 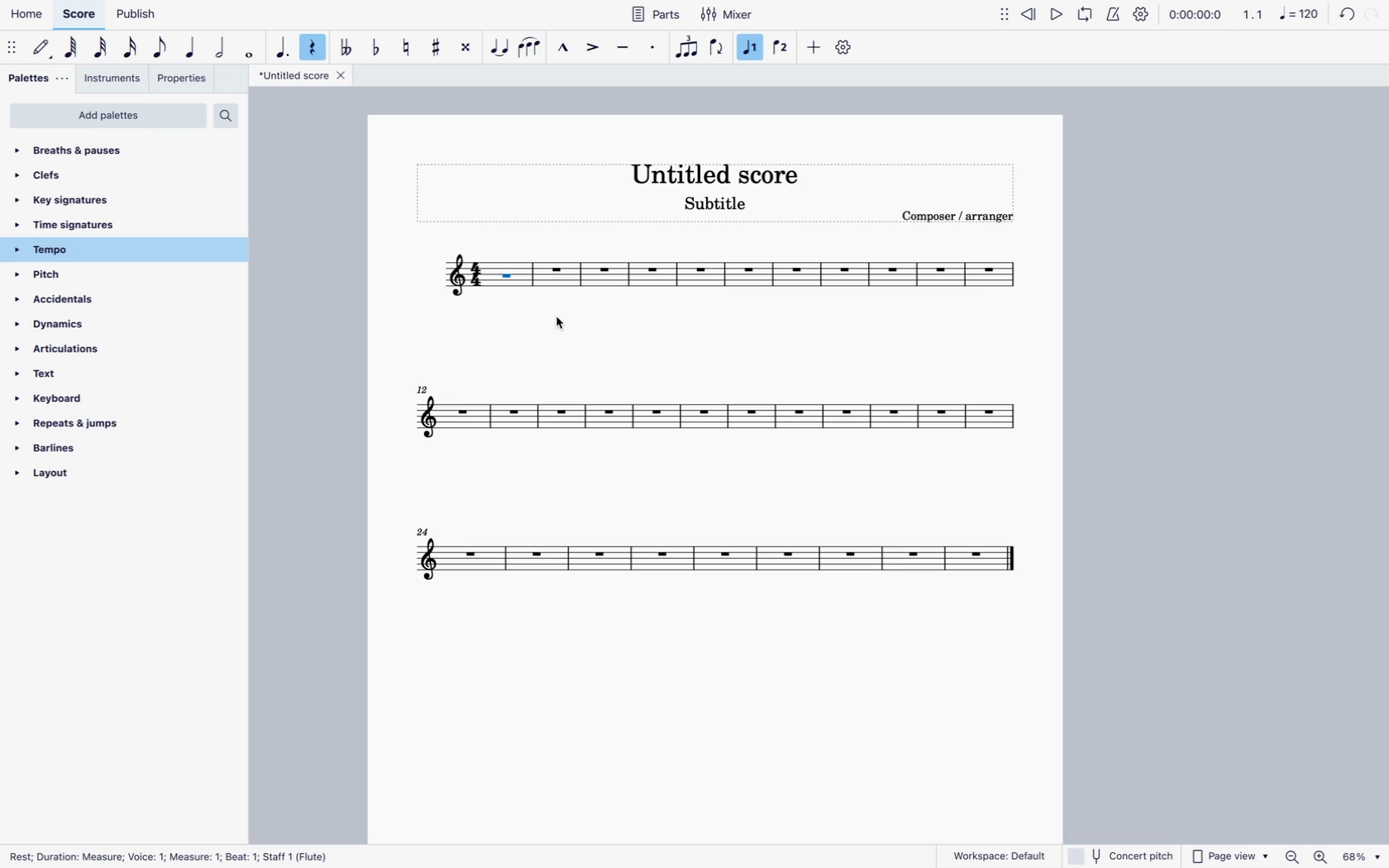 I want to click on augmentative dot, so click(x=282, y=46).